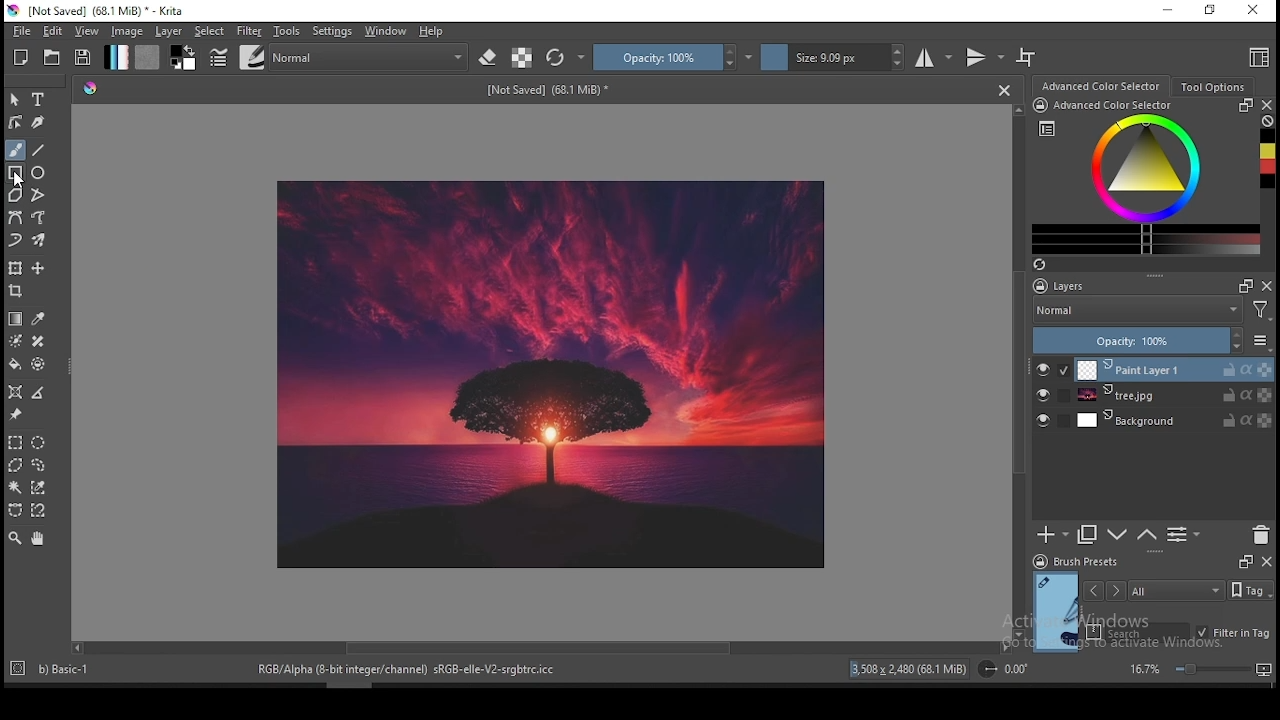 This screenshot has width=1280, height=720. Describe the element at coordinates (1110, 285) in the screenshot. I see `layers` at that location.